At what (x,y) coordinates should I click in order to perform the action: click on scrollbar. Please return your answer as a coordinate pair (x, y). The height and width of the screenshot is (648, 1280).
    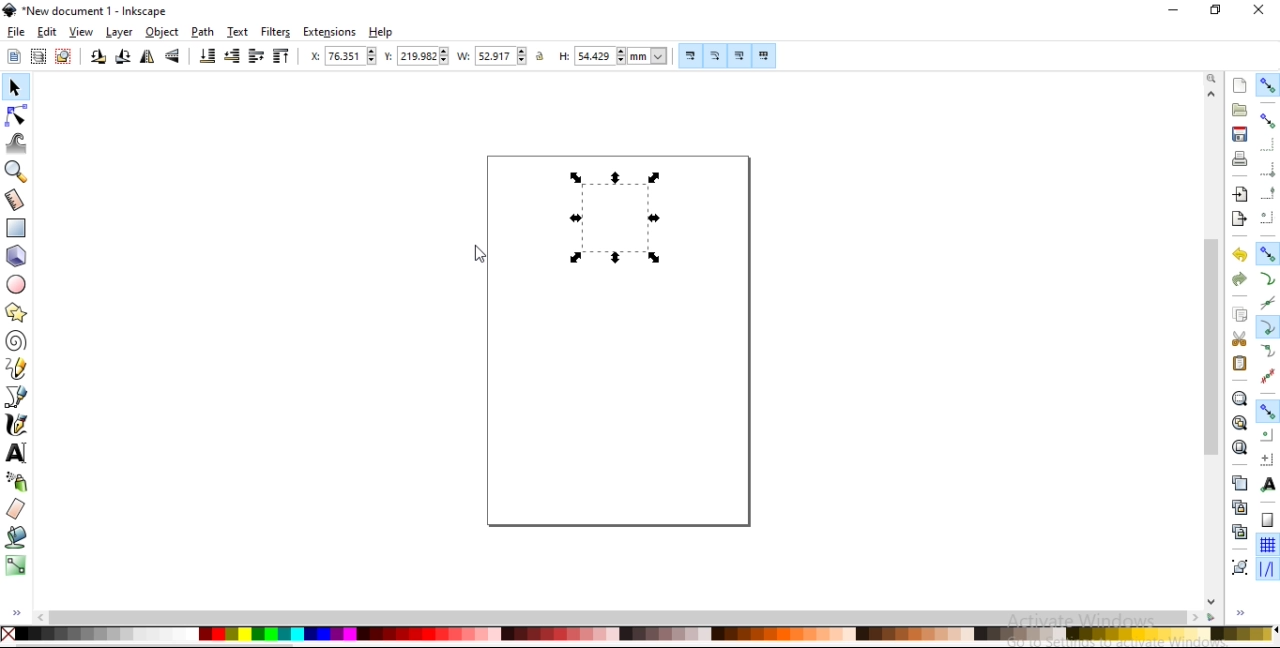
    Looking at the image, I should click on (618, 616).